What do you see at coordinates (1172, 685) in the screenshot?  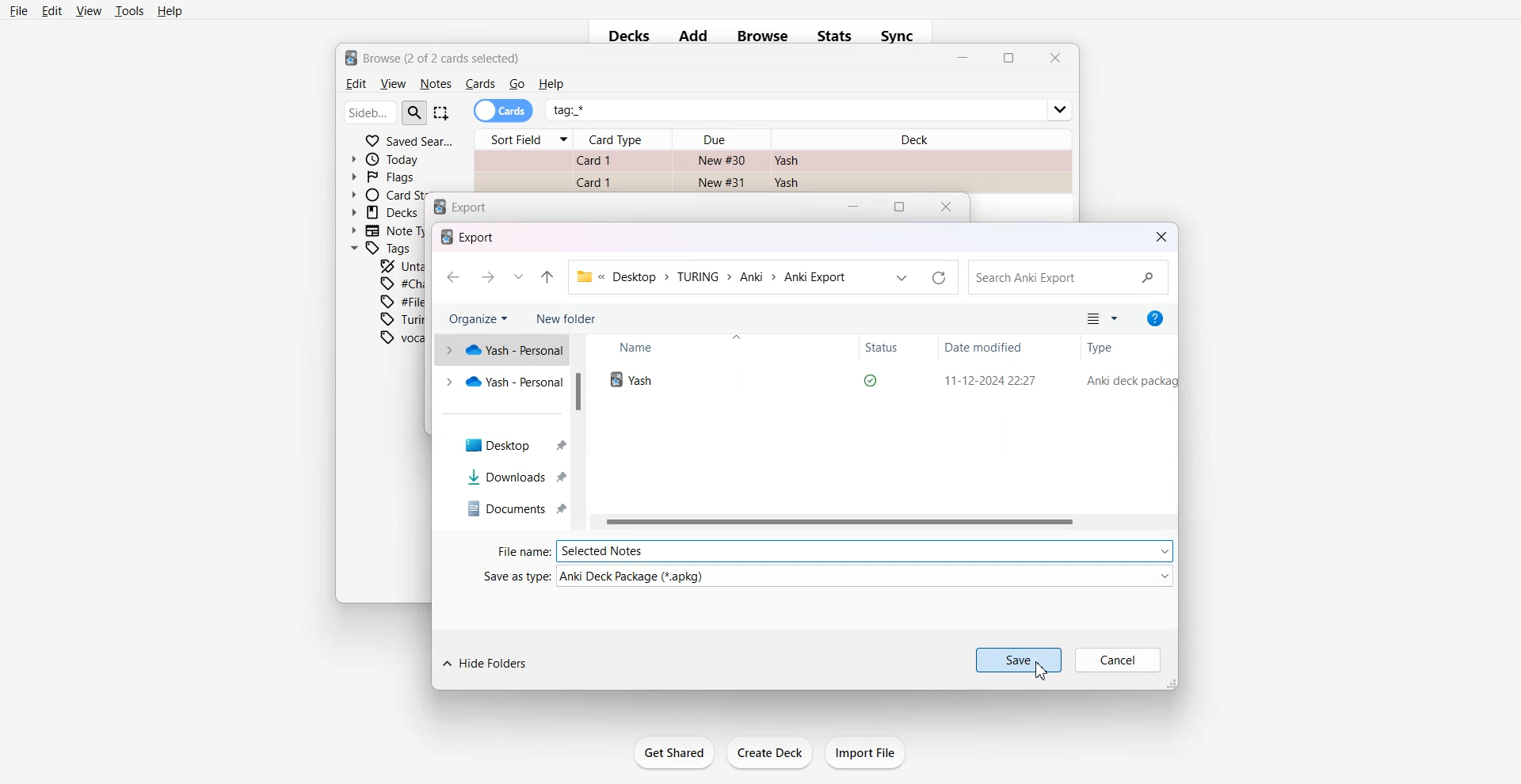 I see `Drag folder` at bounding box center [1172, 685].